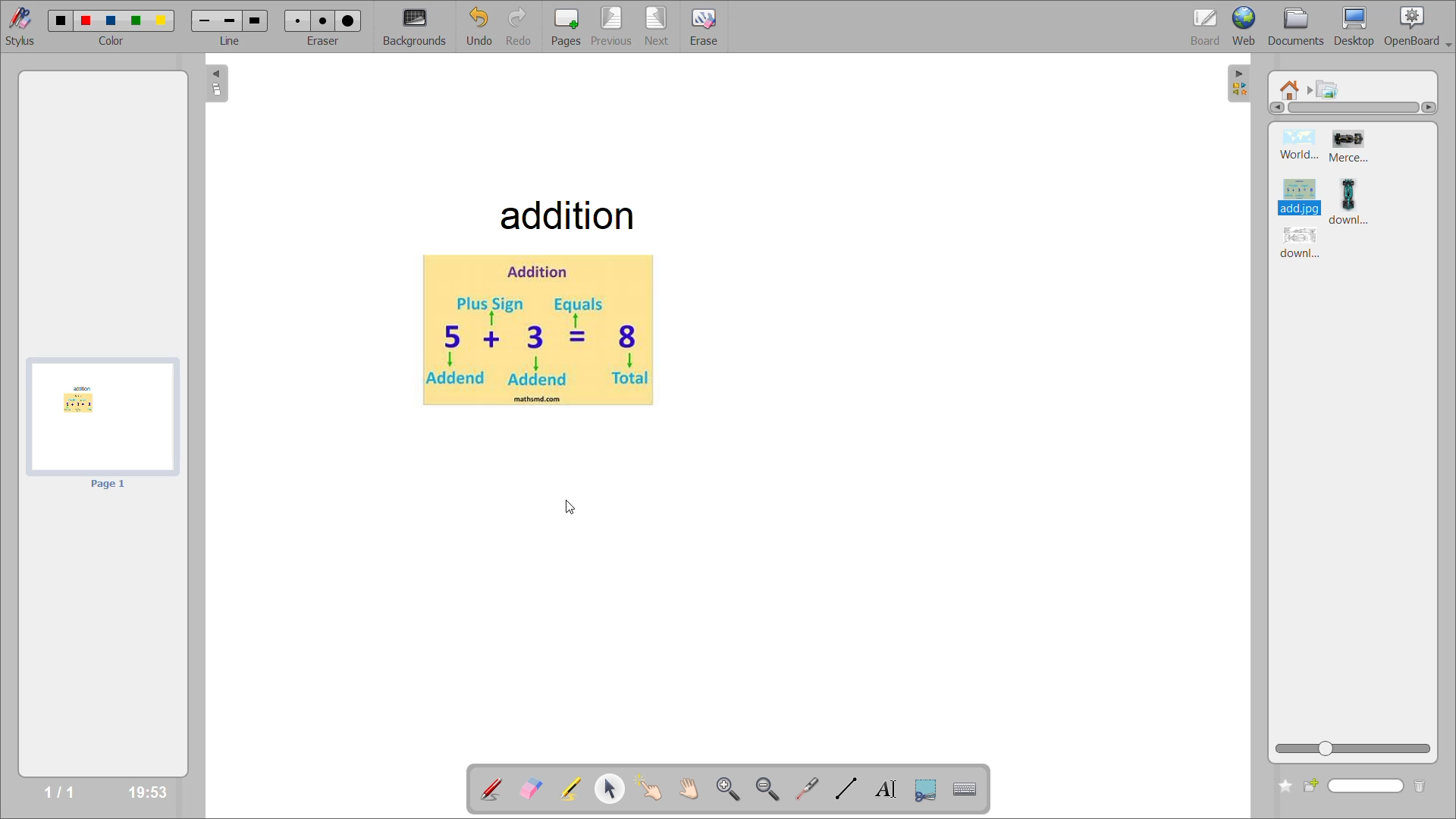 This screenshot has width=1456, height=819. What do you see at coordinates (704, 28) in the screenshot?
I see `erase` at bounding box center [704, 28].